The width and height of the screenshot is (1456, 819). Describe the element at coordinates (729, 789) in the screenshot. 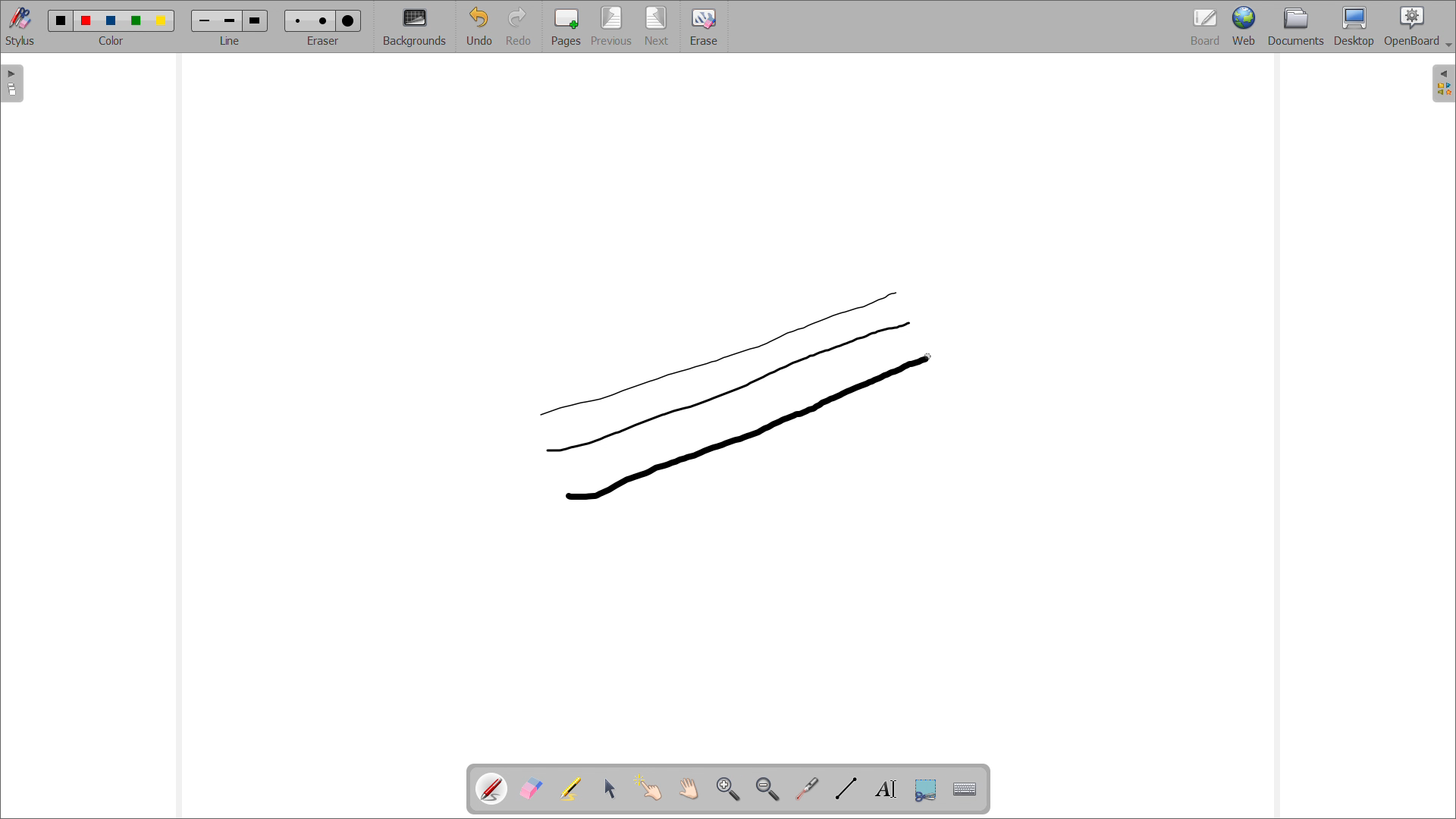

I see `zoom in` at that location.